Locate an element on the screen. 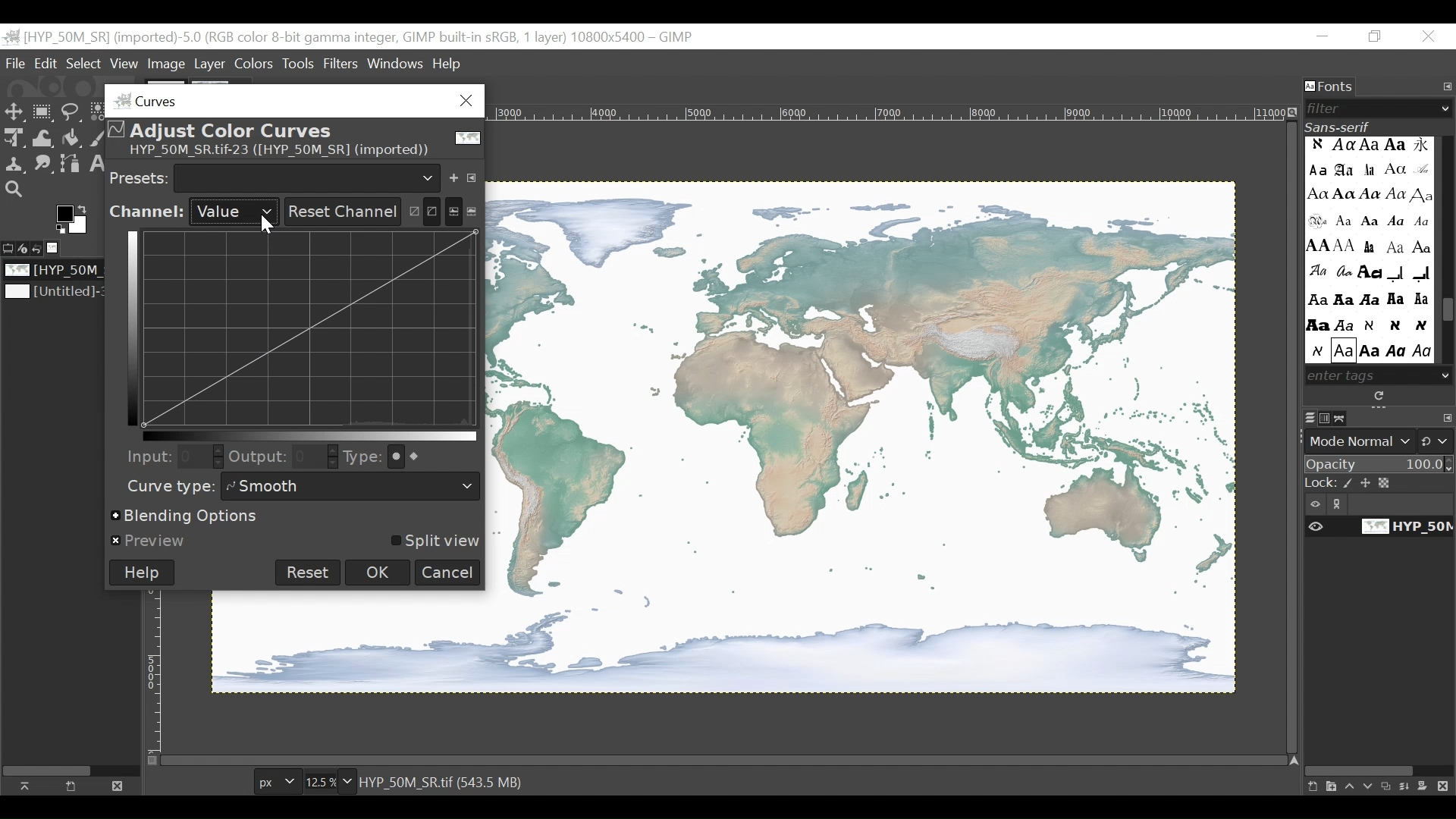  Minimize is located at coordinates (1323, 37).